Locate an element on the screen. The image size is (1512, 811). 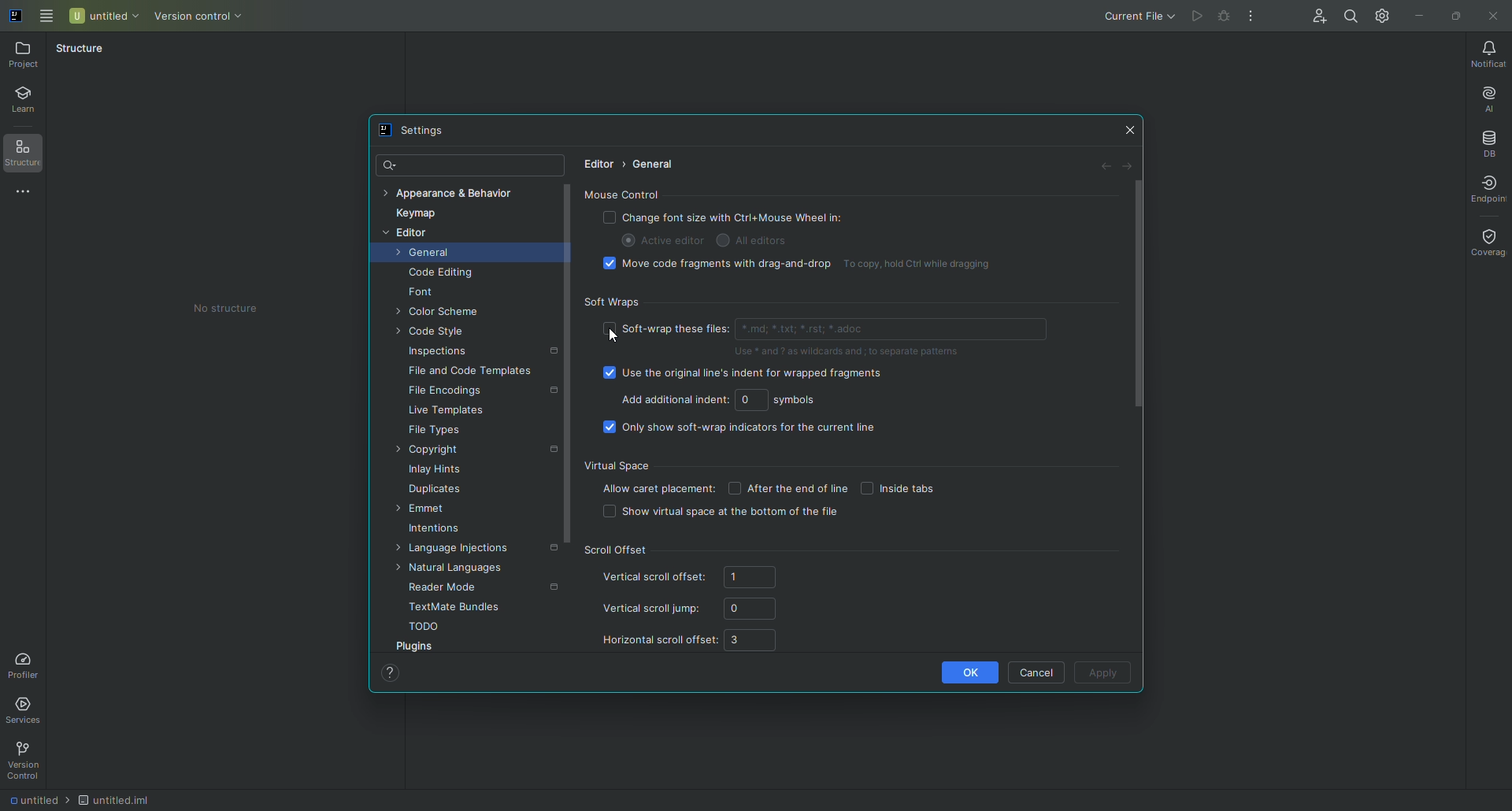
Font is located at coordinates (428, 294).